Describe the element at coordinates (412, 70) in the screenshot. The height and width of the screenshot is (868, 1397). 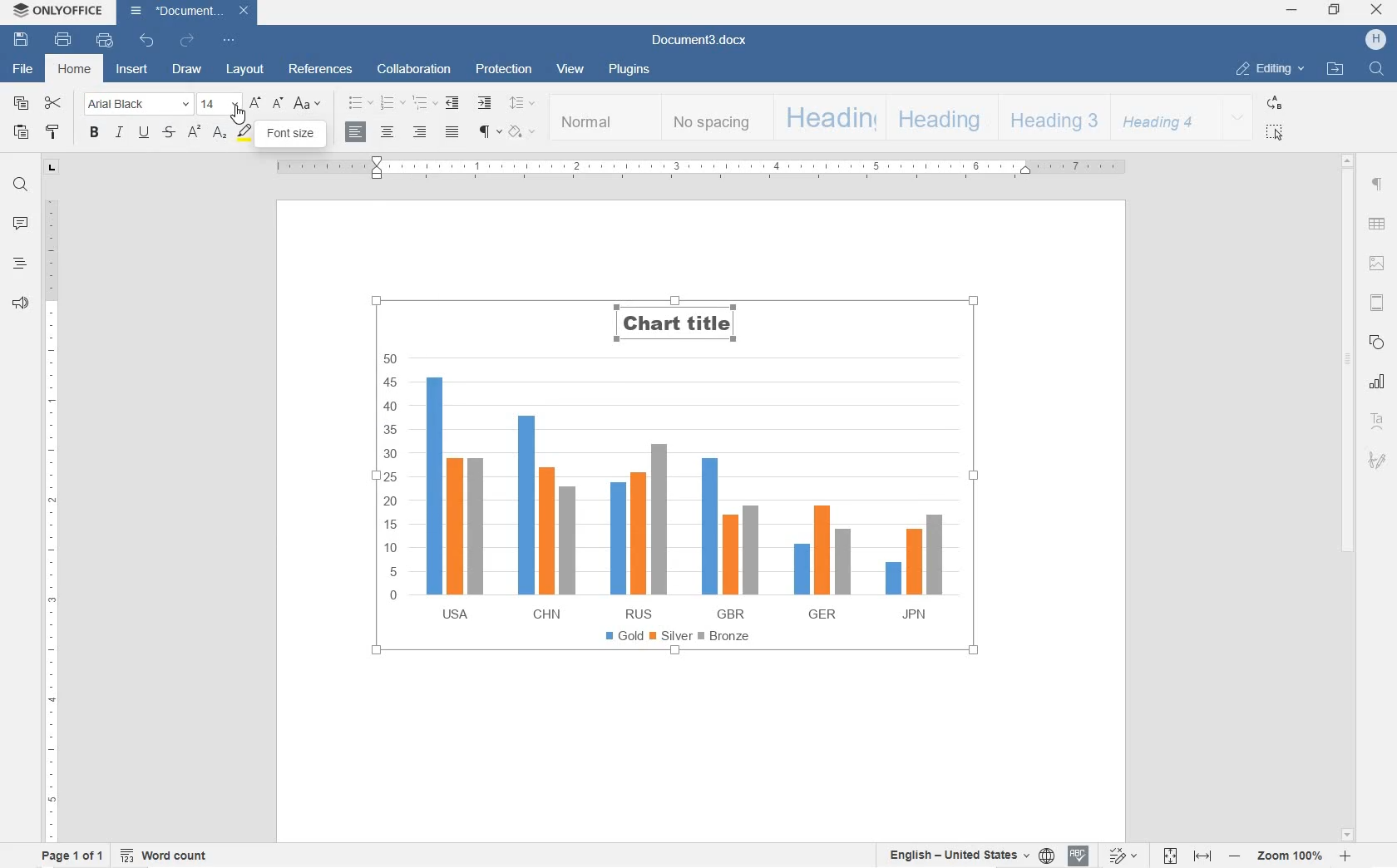
I see `COLLABORATION` at that location.